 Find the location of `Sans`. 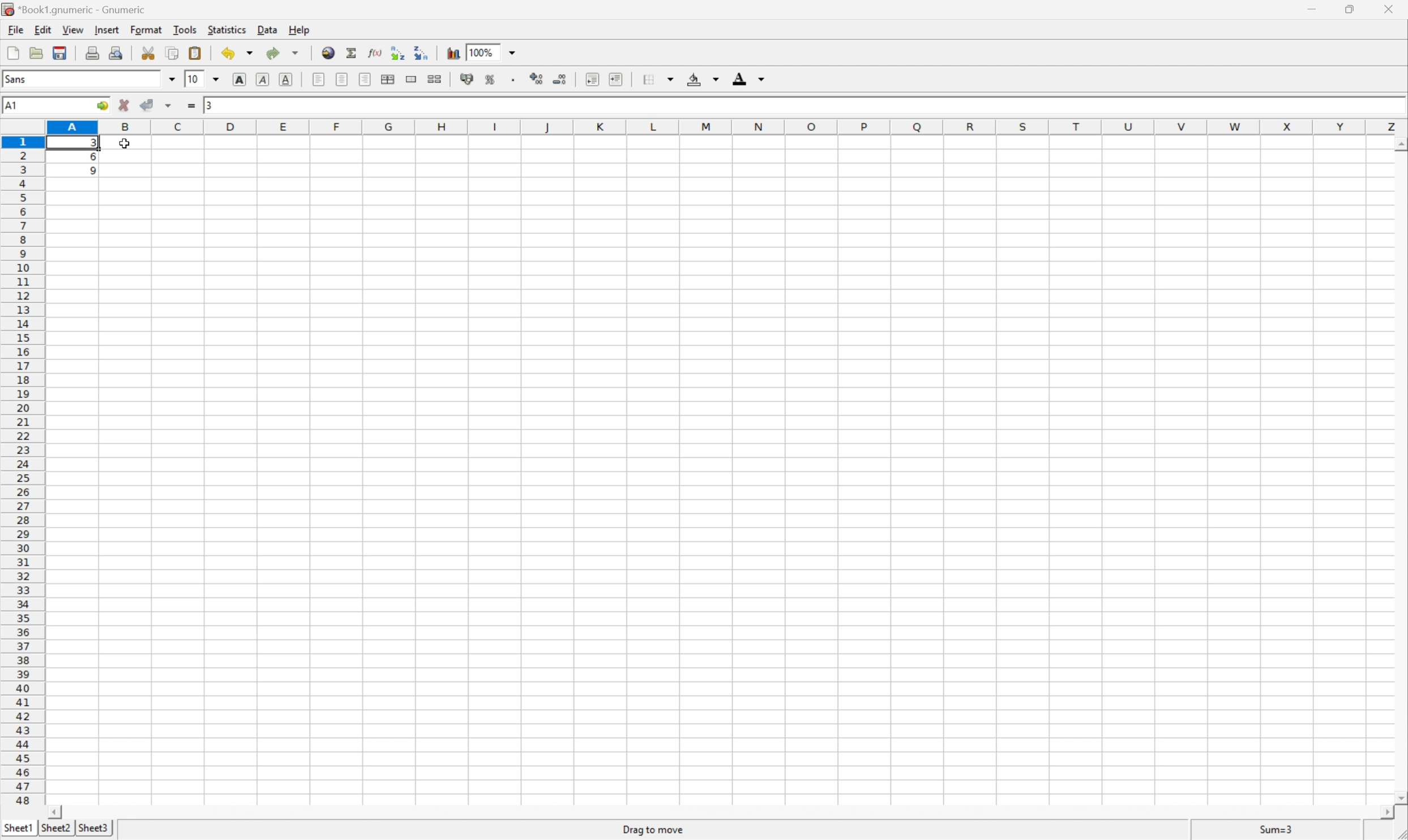

Sans is located at coordinates (15, 78).